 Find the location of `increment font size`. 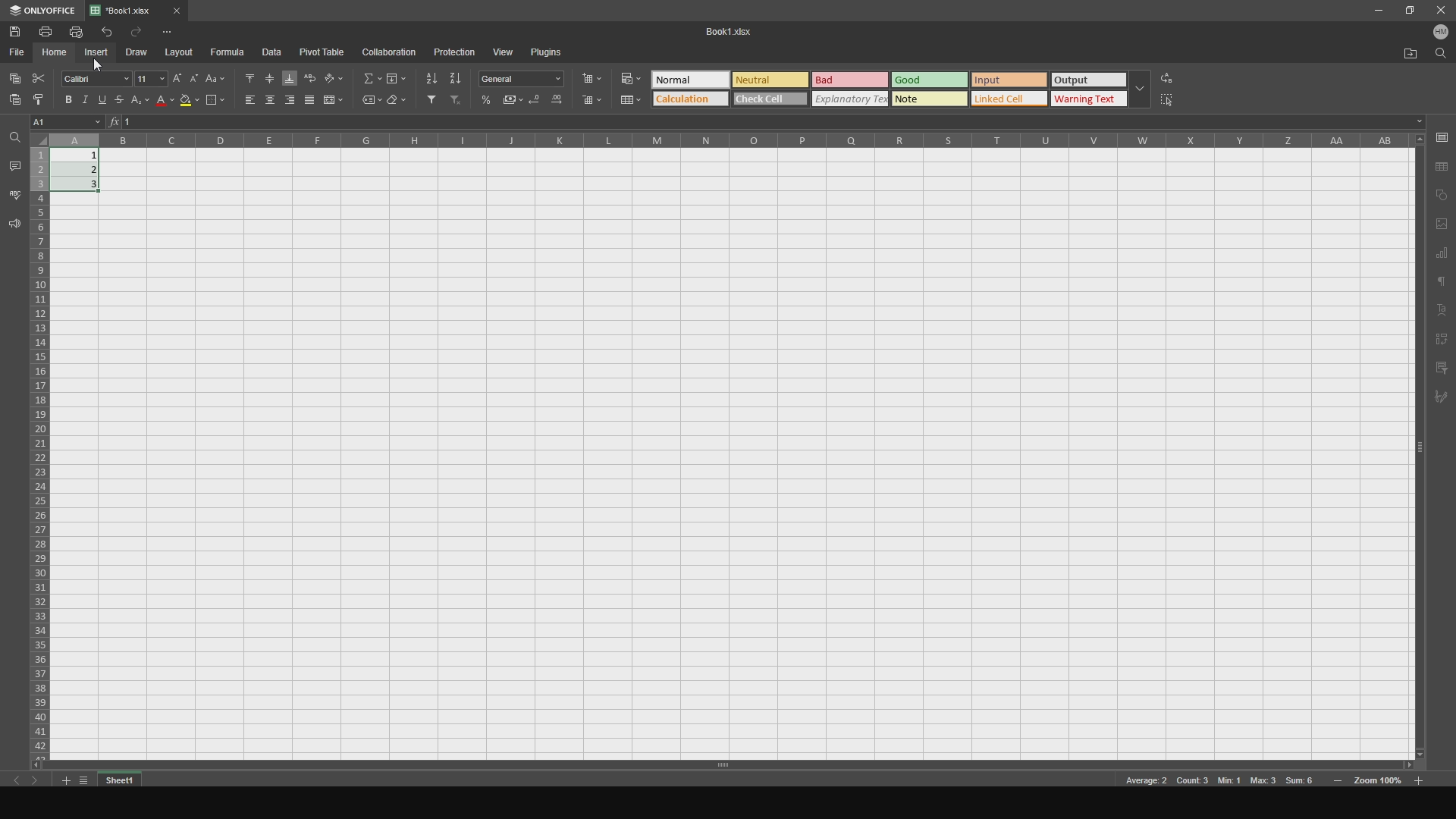

increment font size is located at coordinates (176, 76).